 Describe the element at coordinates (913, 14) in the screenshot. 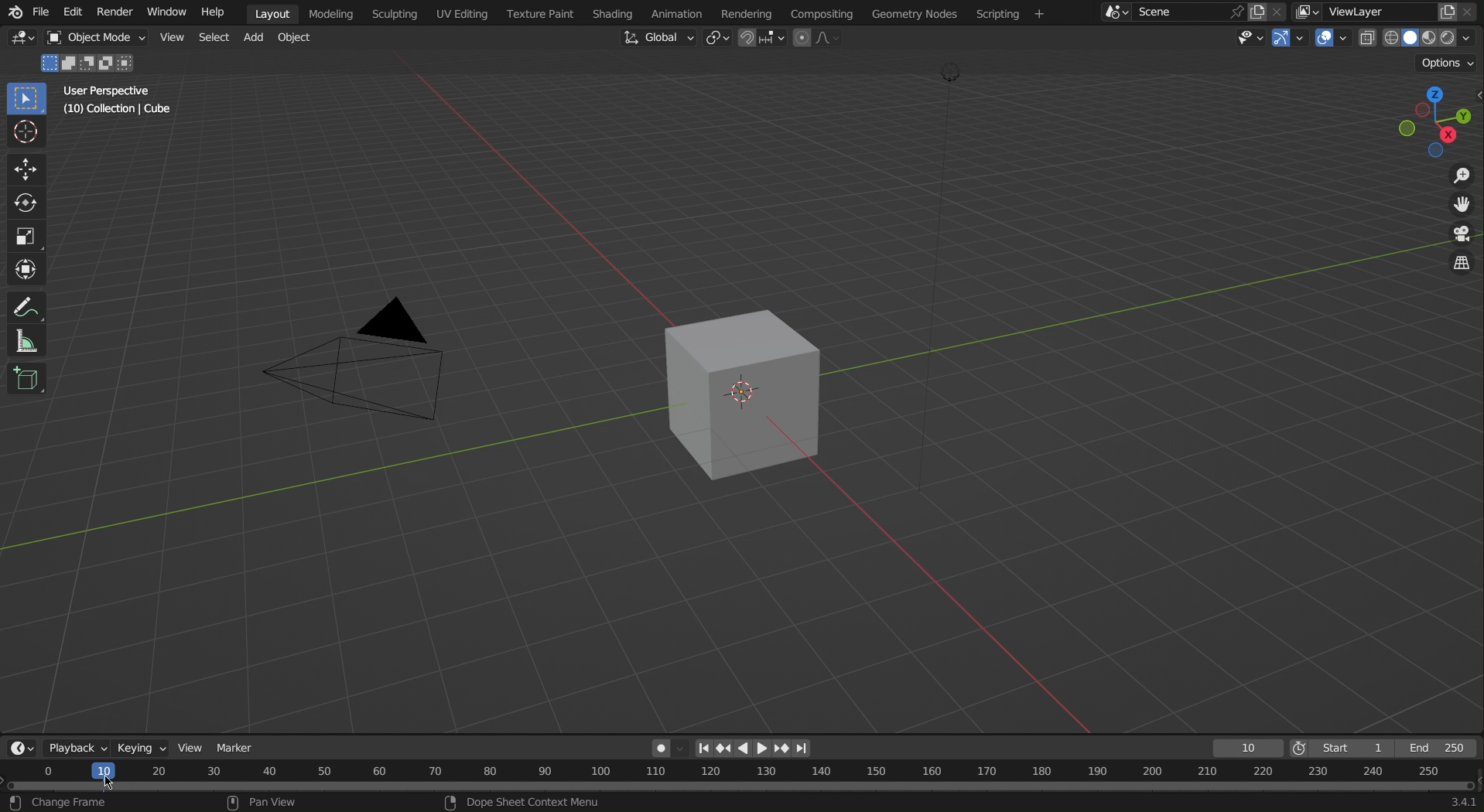

I see `Geometry Nodes` at that location.